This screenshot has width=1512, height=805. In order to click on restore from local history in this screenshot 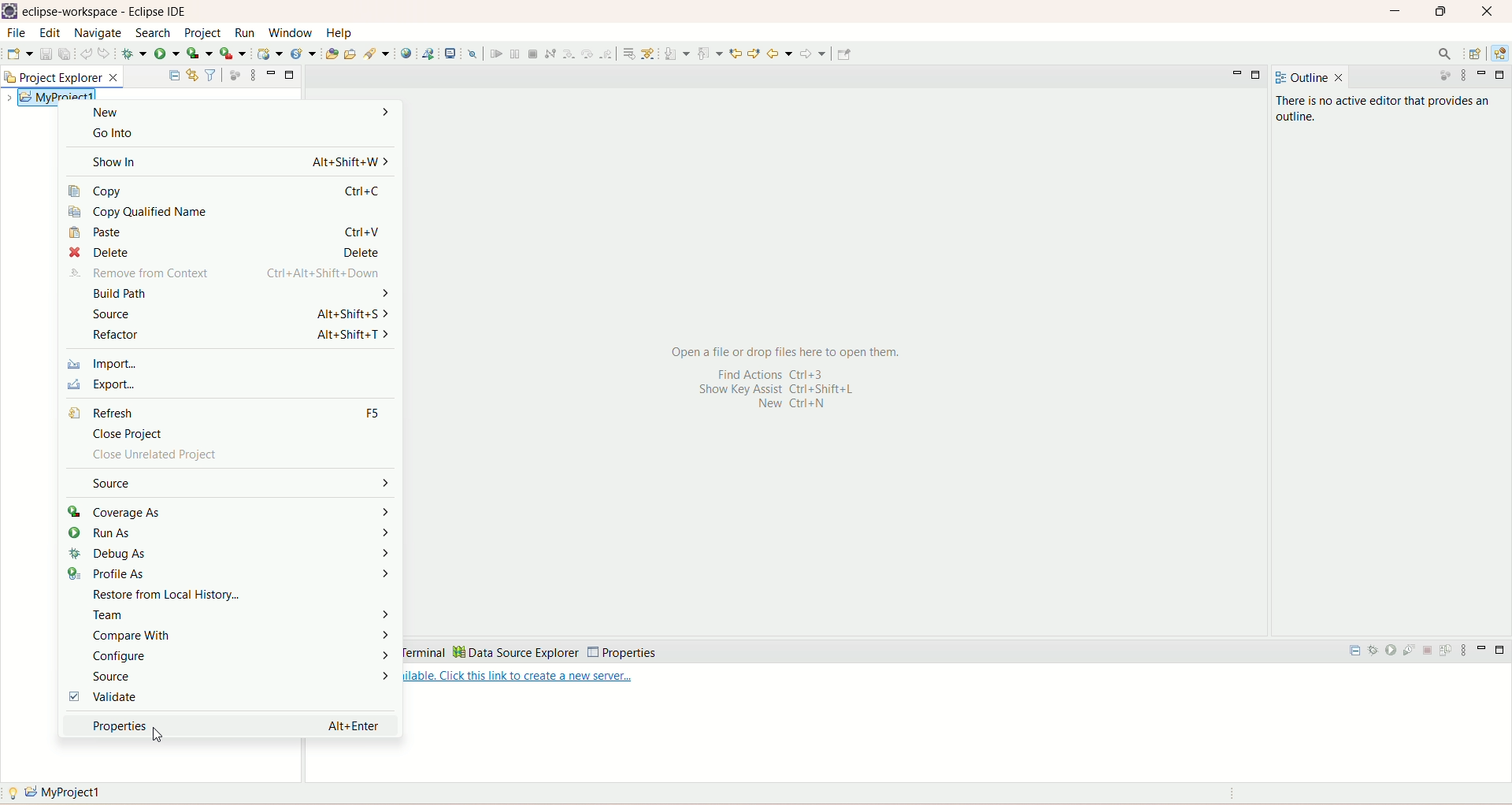, I will do `click(225, 598)`.